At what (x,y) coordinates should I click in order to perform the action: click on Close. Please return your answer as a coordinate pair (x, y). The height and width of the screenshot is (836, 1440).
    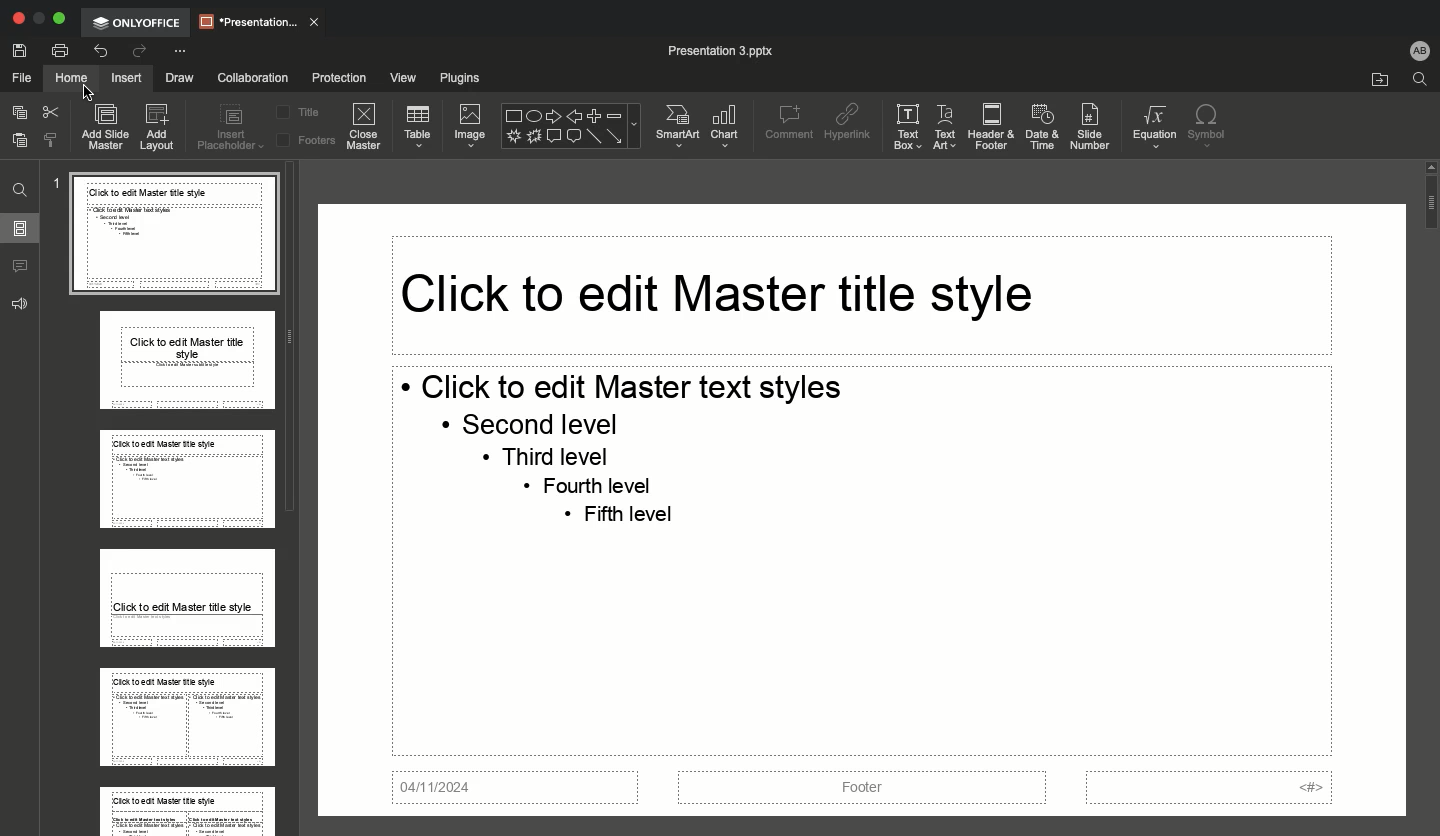
    Looking at the image, I should click on (18, 20).